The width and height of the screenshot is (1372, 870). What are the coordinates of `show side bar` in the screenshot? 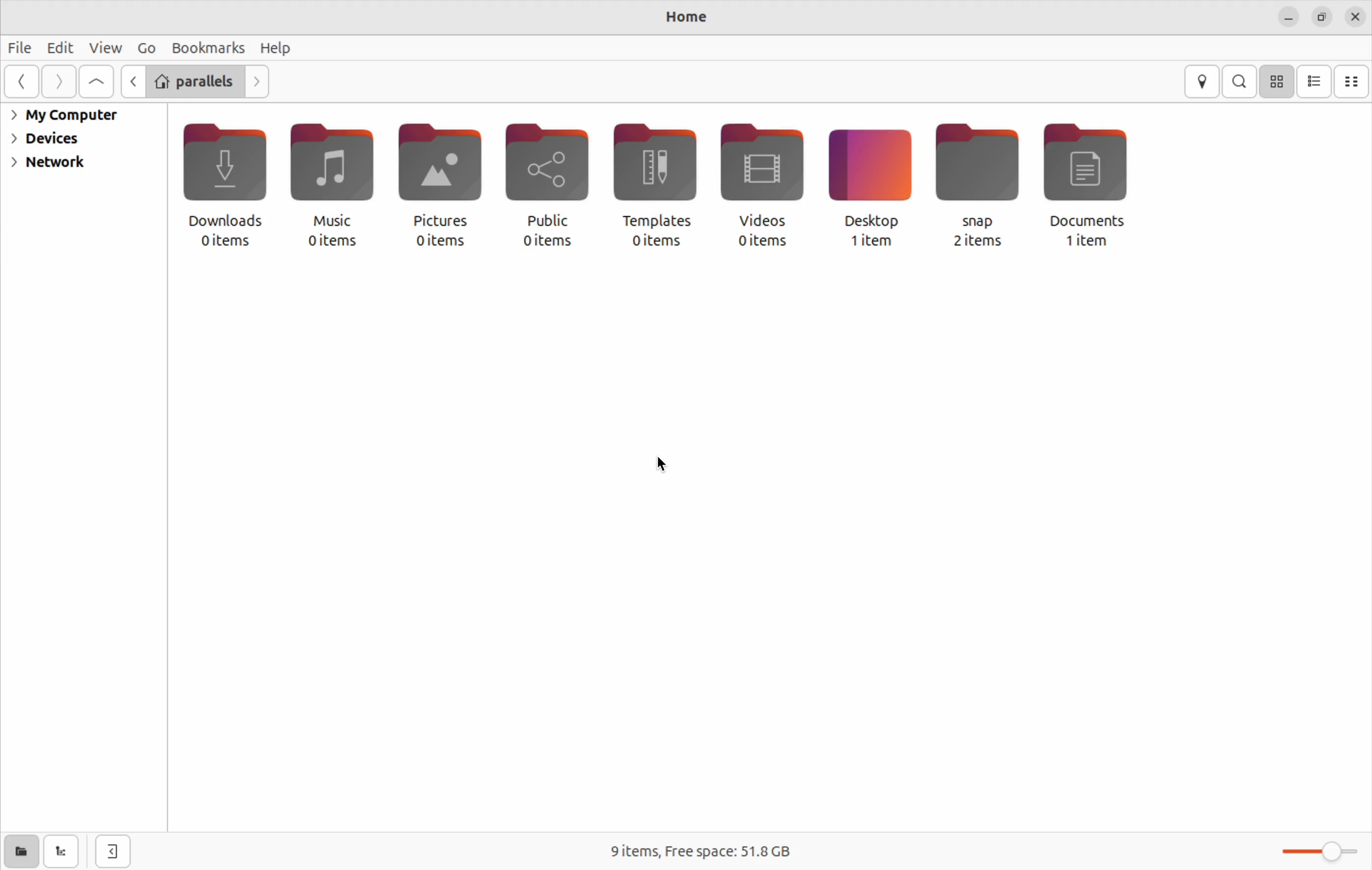 It's located at (115, 851).